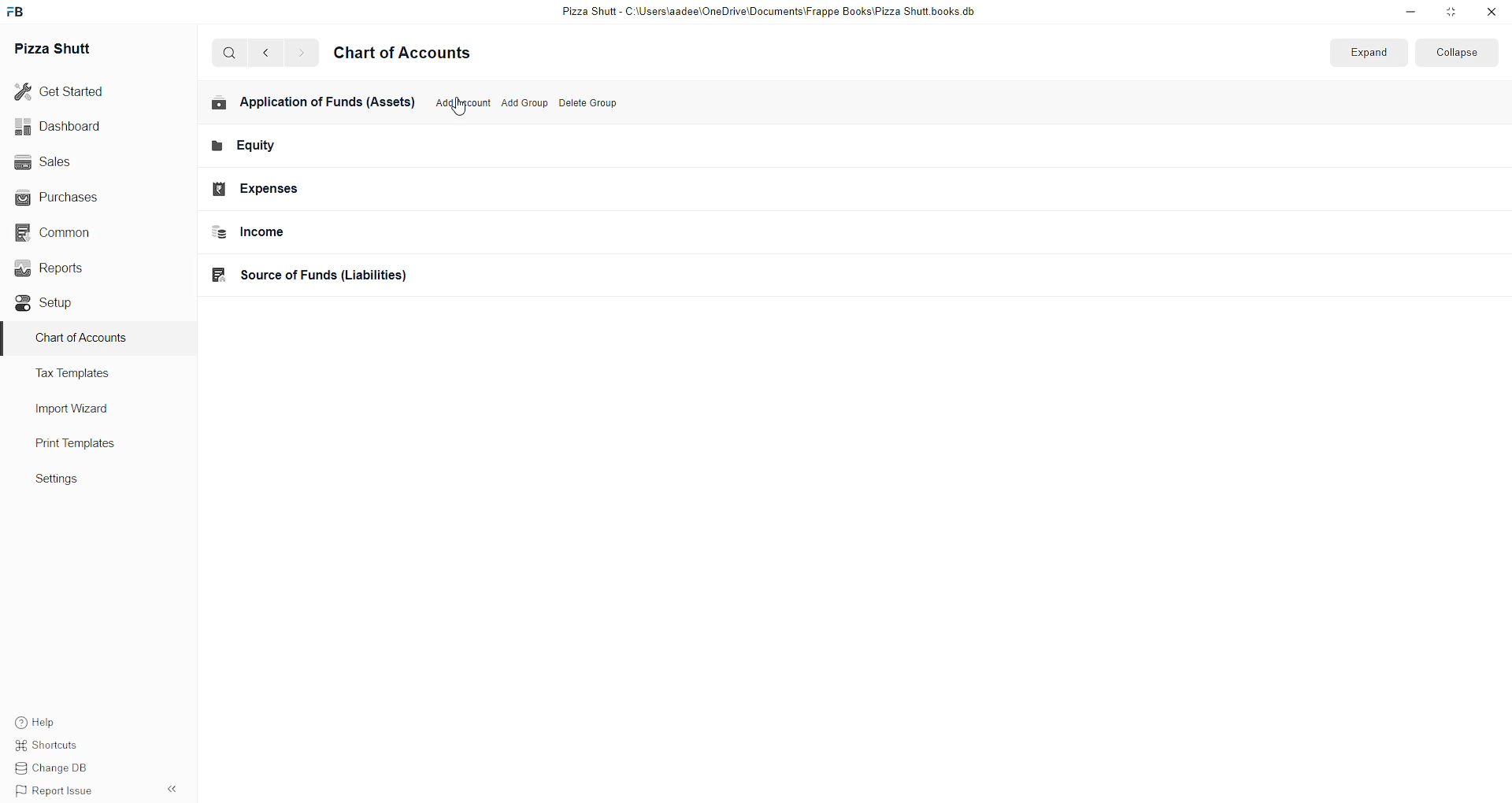  I want to click on settings , so click(72, 483).